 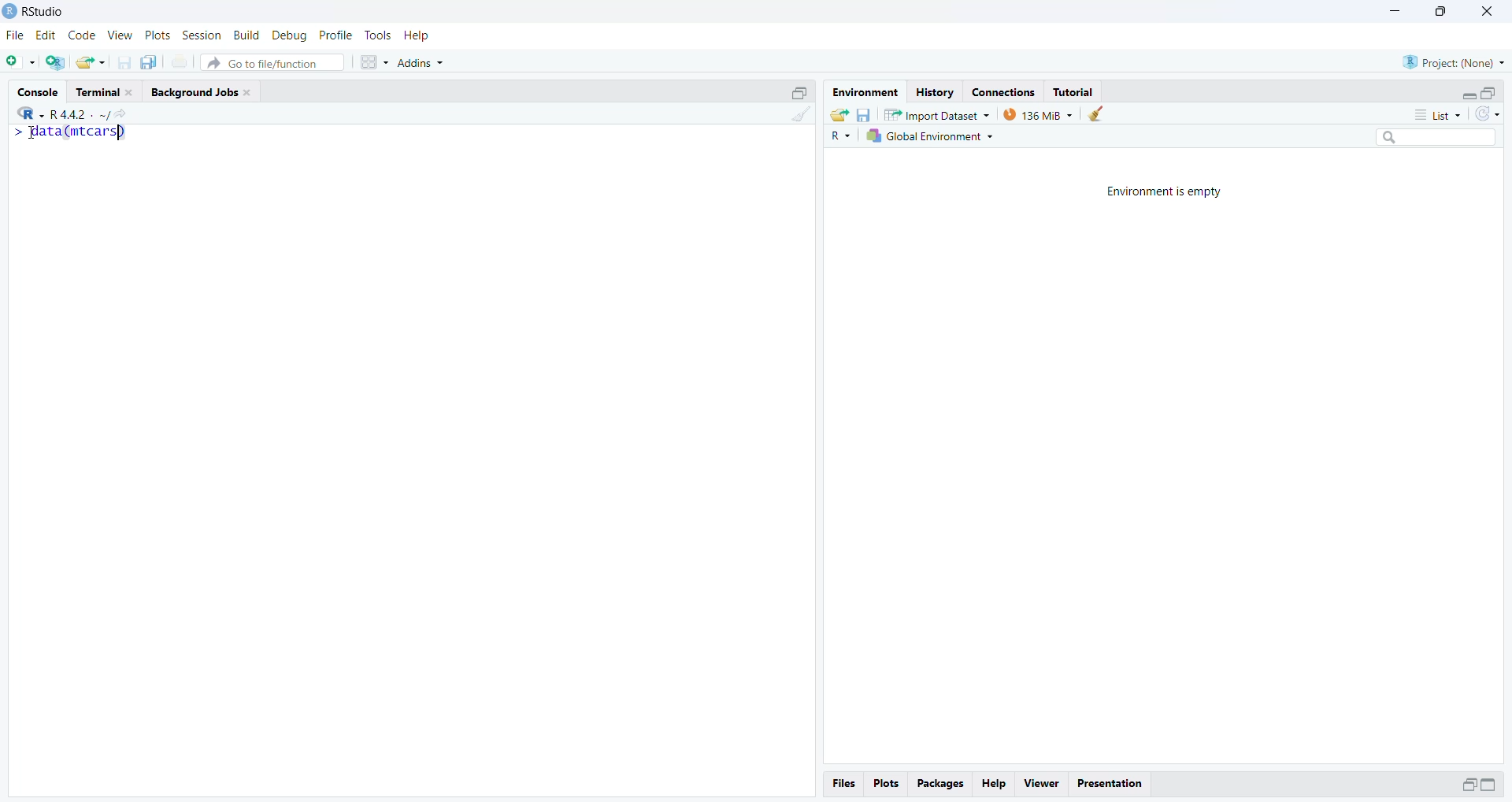 What do you see at coordinates (204, 92) in the screenshot?
I see `Background Jobs` at bounding box center [204, 92].